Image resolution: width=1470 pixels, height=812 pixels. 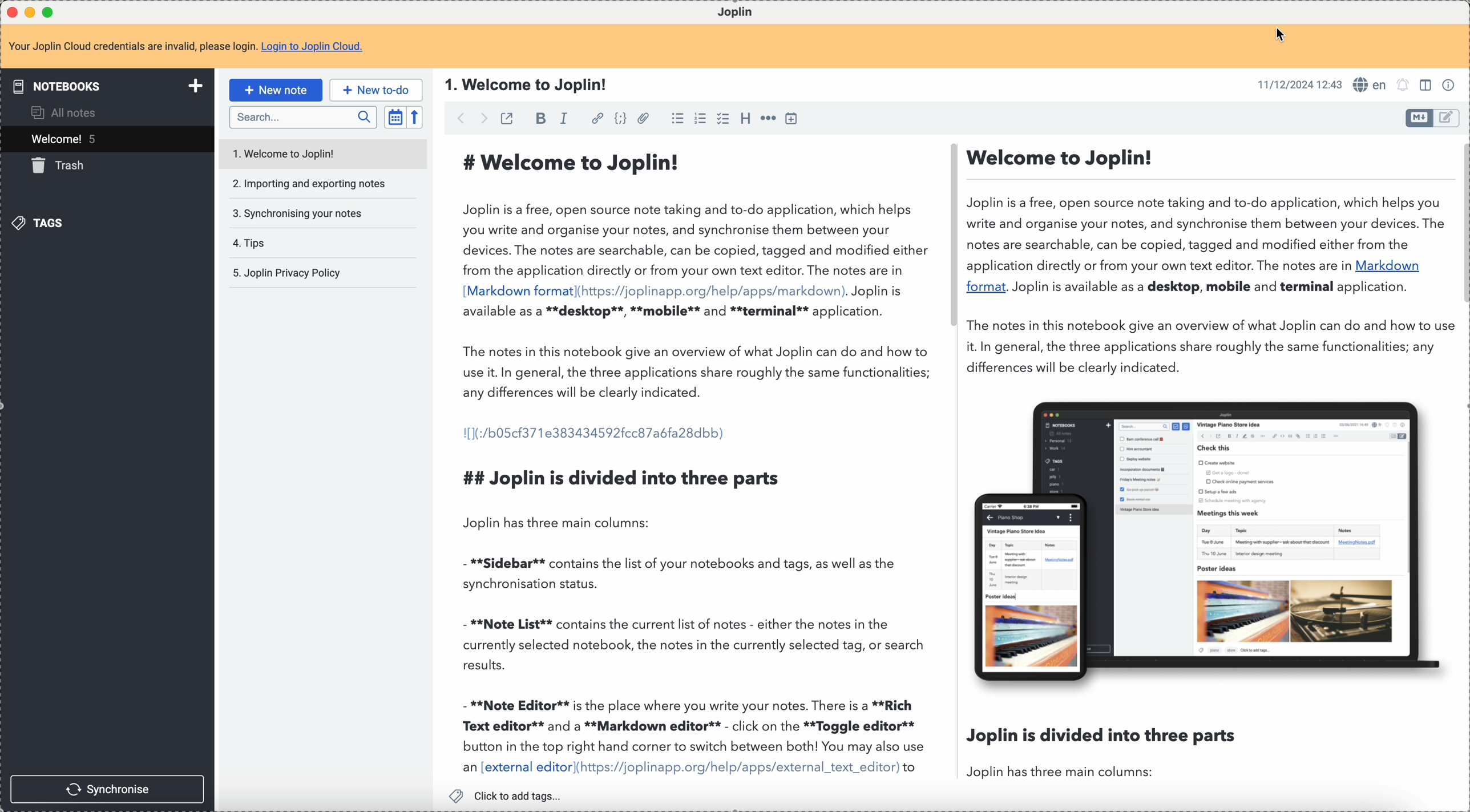 What do you see at coordinates (564, 119) in the screenshot?
I see `italic` at bounding box center [564, 119].